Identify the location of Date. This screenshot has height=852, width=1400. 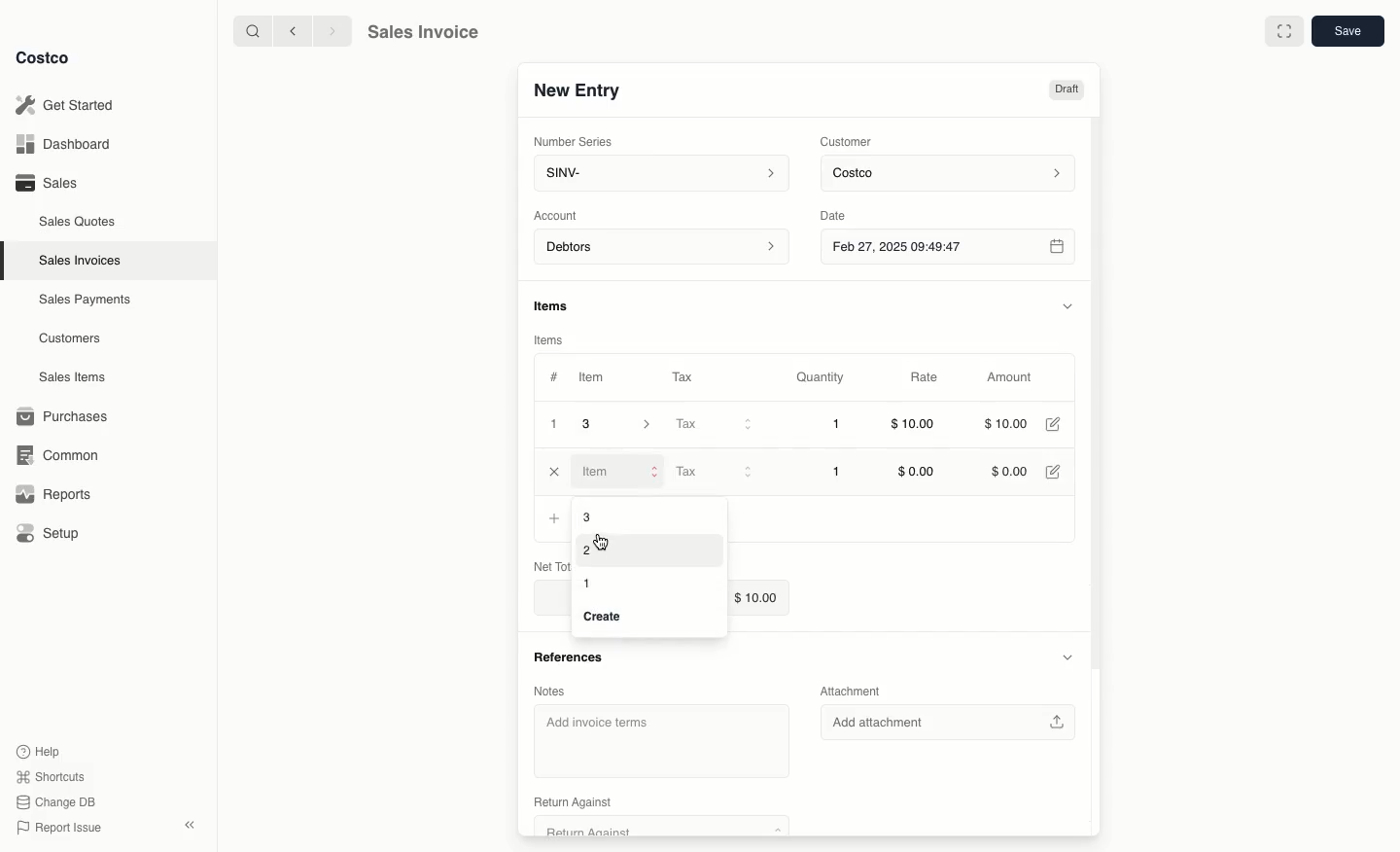
(849, 213).